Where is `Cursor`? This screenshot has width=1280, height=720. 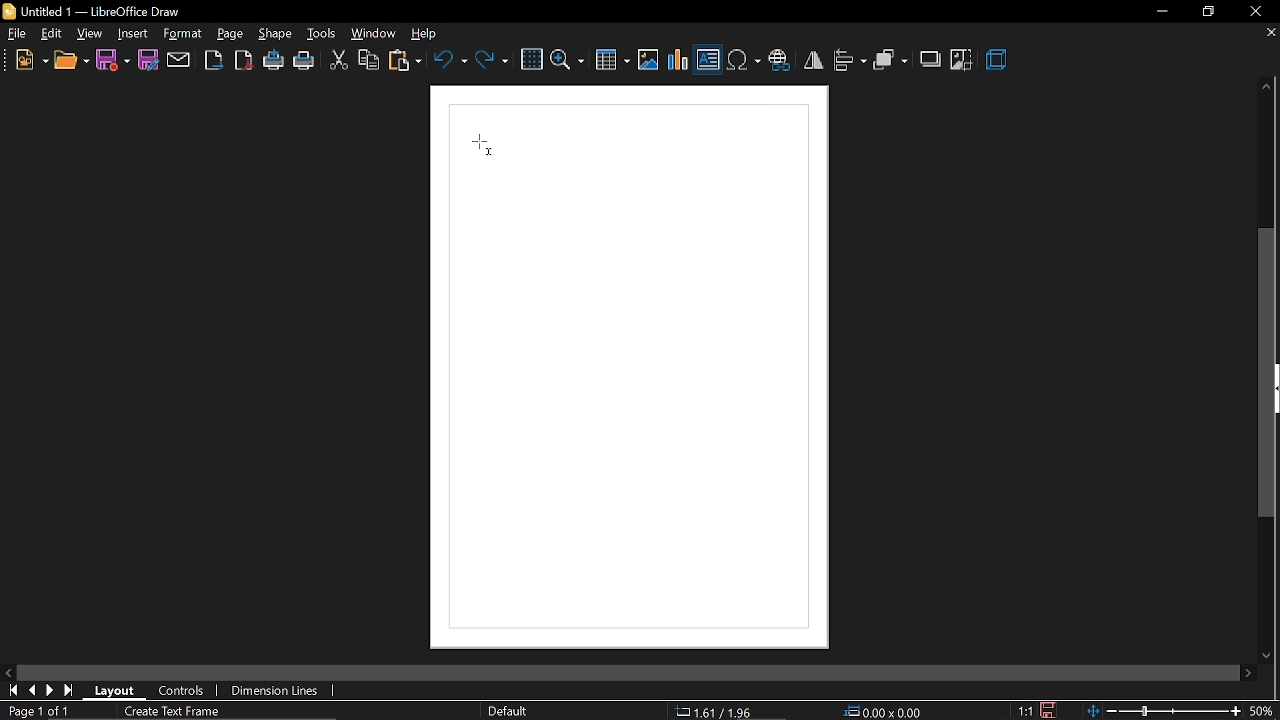
Cursor is located at coordinates (485, 145).